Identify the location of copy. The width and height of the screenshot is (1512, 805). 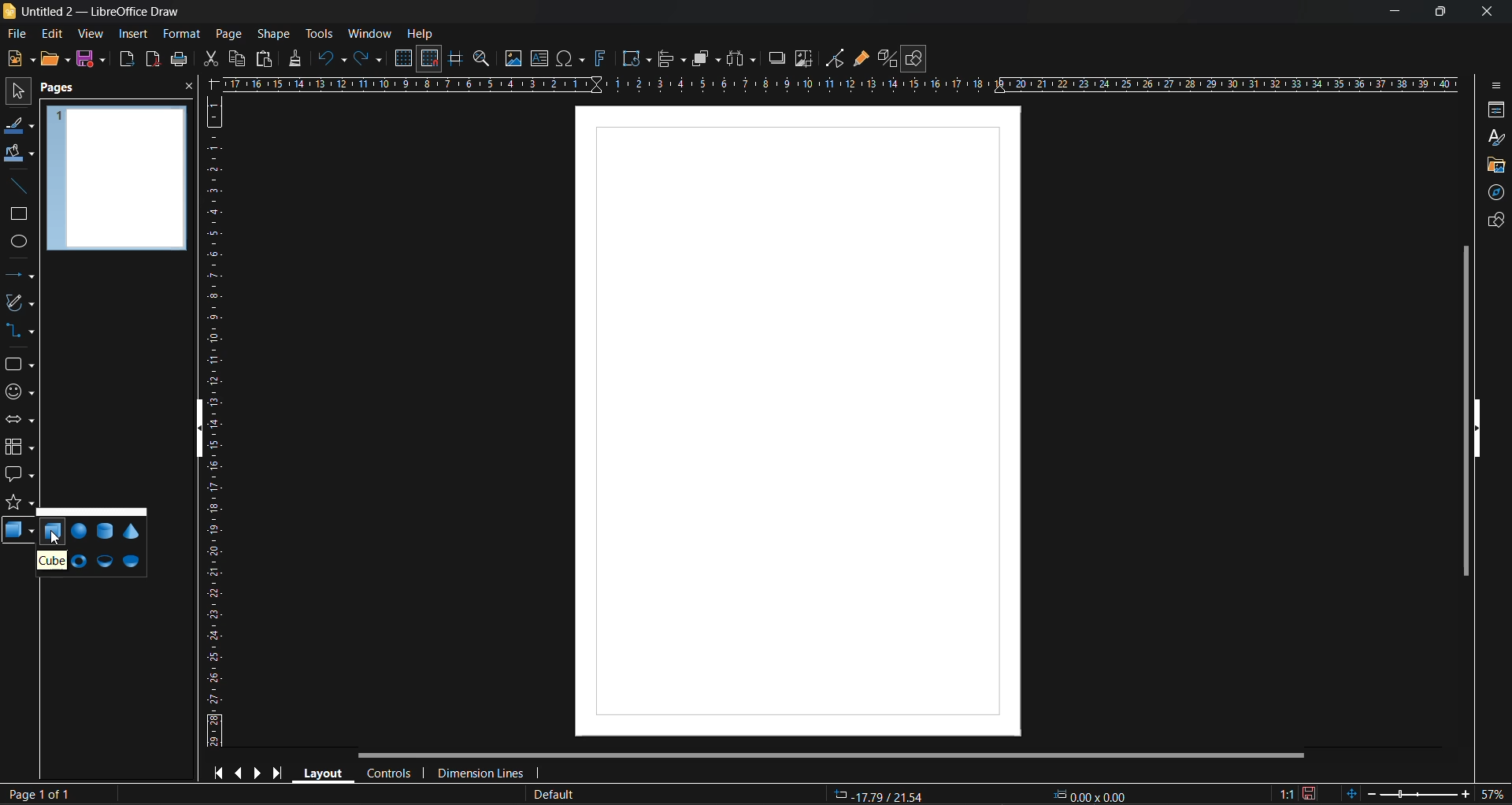
(235, 58).